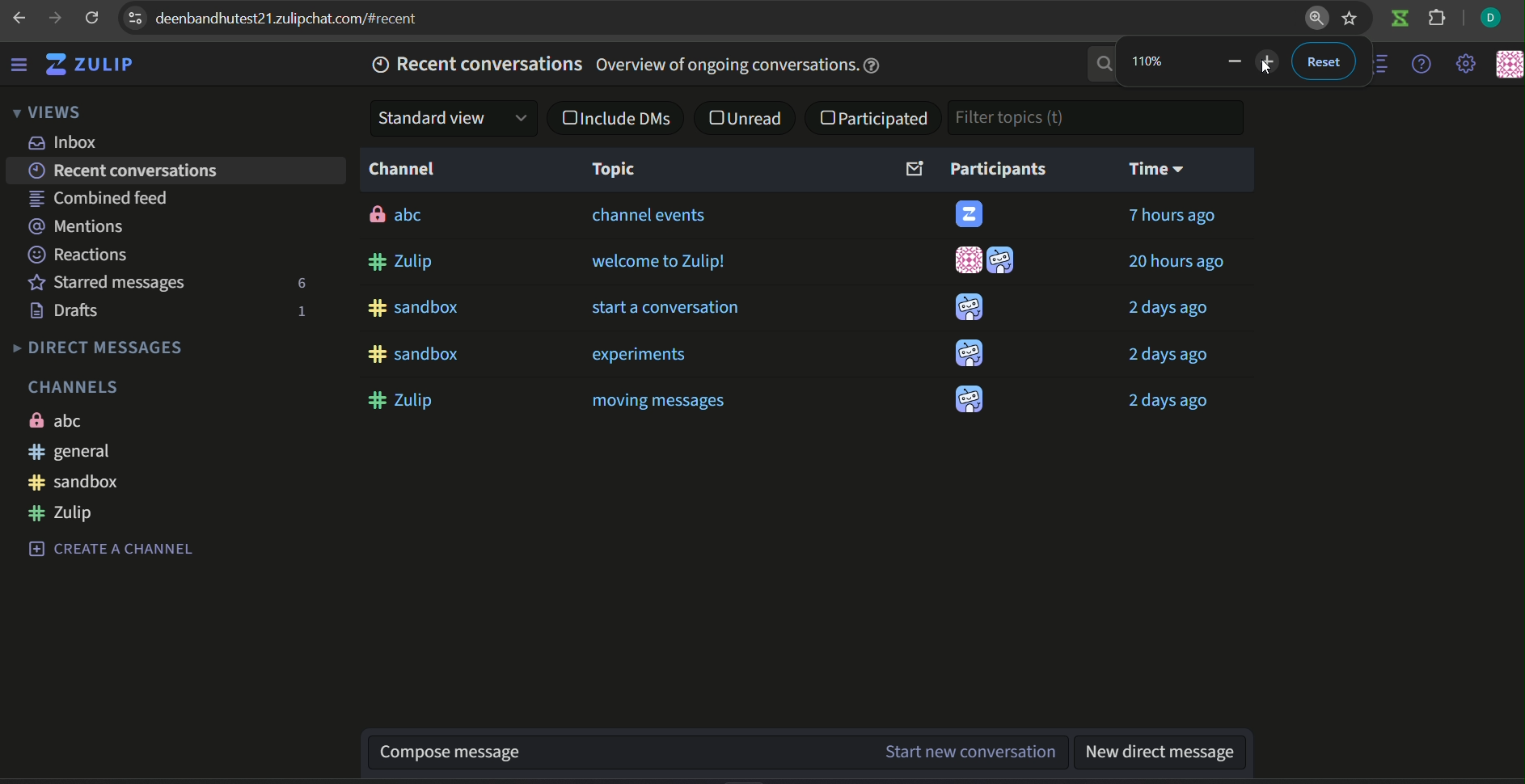  Describe the element at coordinates (1169, 310) in the screenshot. I see `2 days ago` at that location.